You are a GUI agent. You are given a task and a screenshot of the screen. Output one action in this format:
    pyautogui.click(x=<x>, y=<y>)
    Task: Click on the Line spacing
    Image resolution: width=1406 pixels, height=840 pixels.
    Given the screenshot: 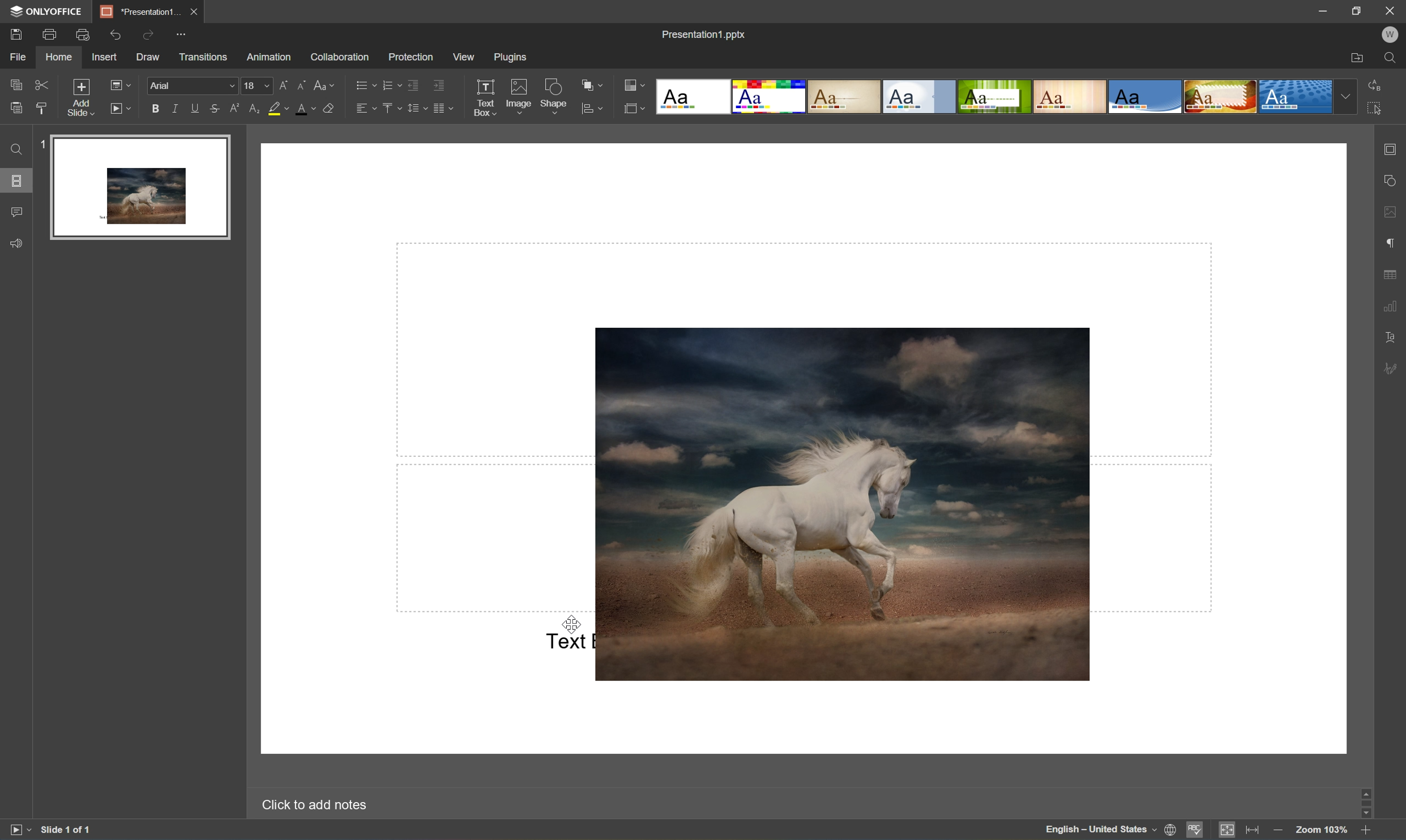 What is the action you would take?
    pyautogui.click(x=415, y=108)
    